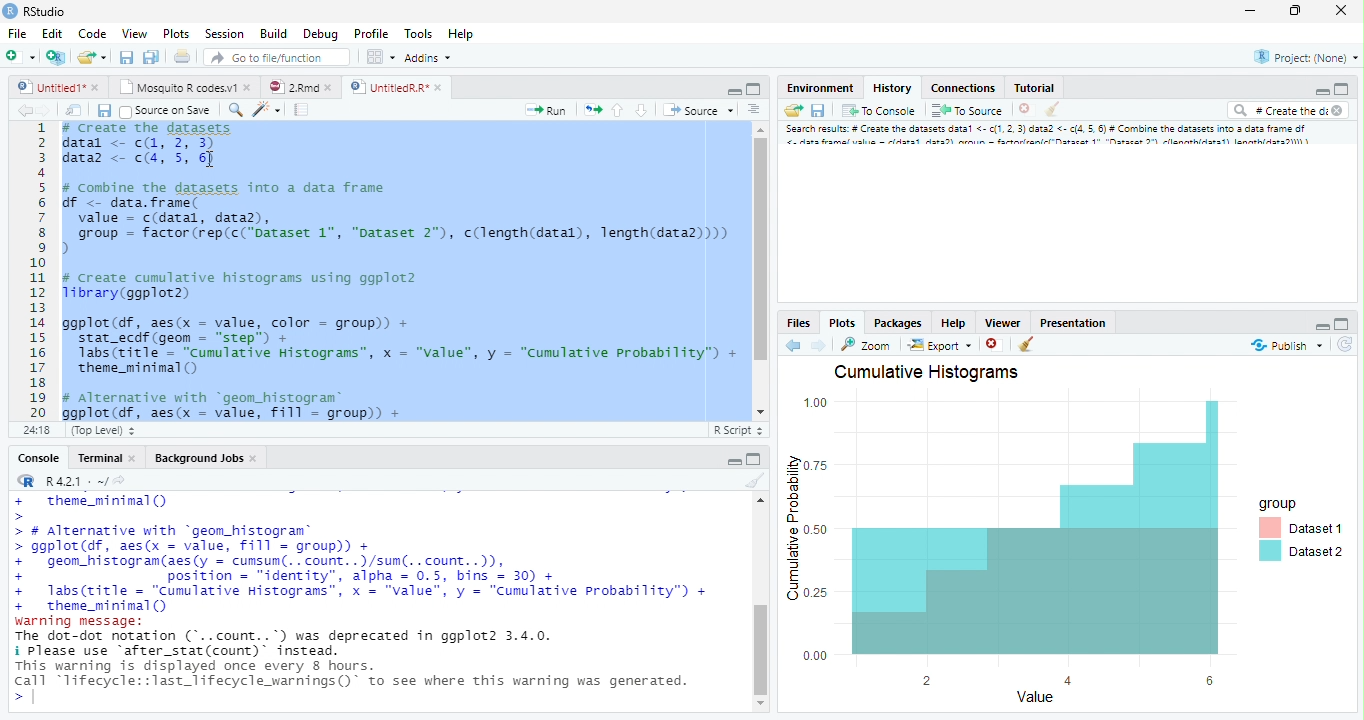  Describe the element at coordinates (1339, 10) in the screenshot. I see `Close` at that location.